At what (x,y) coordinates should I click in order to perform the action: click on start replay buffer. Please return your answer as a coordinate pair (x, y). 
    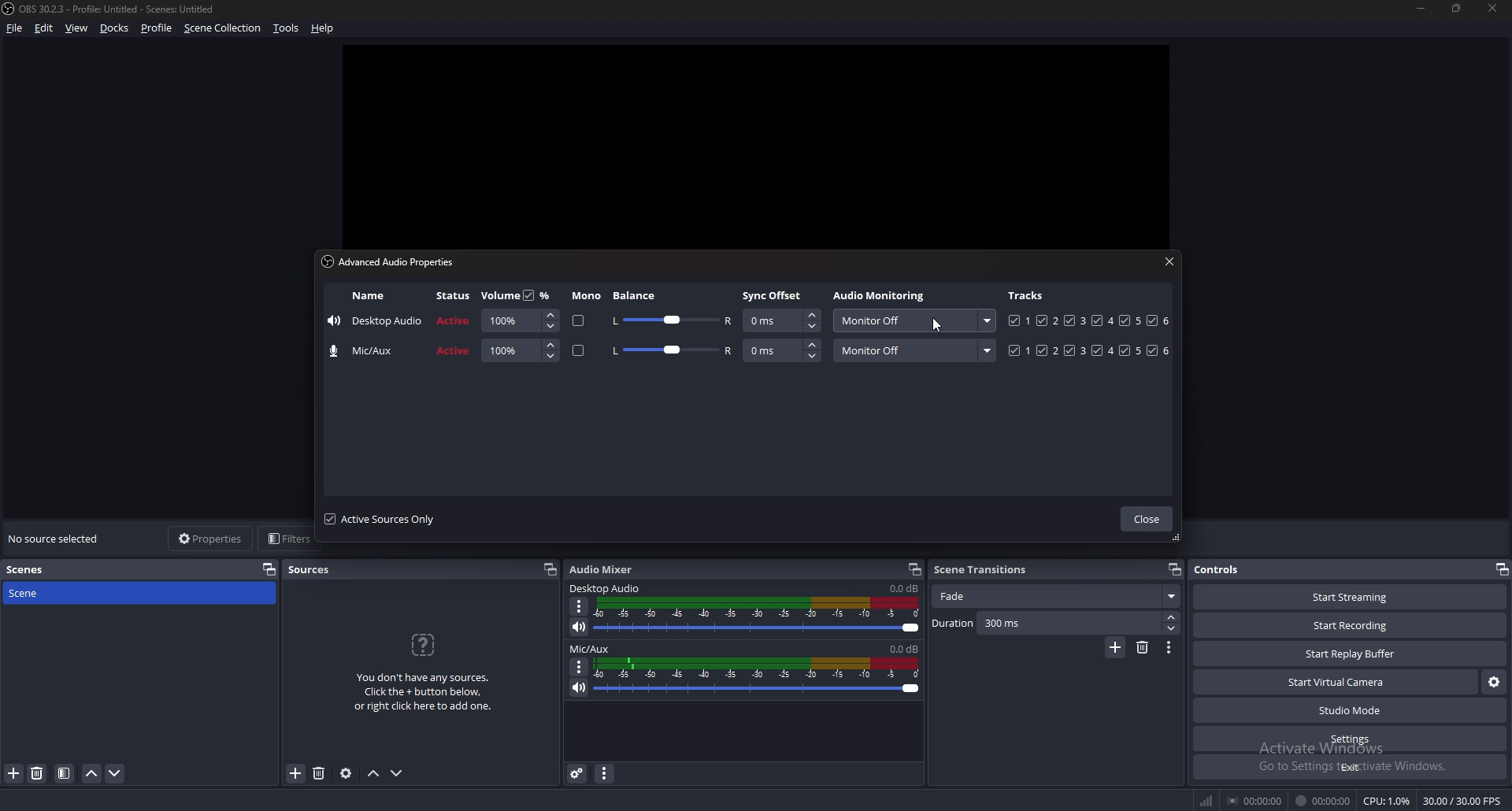
    Looking at the image, I should click on (1351, 654).